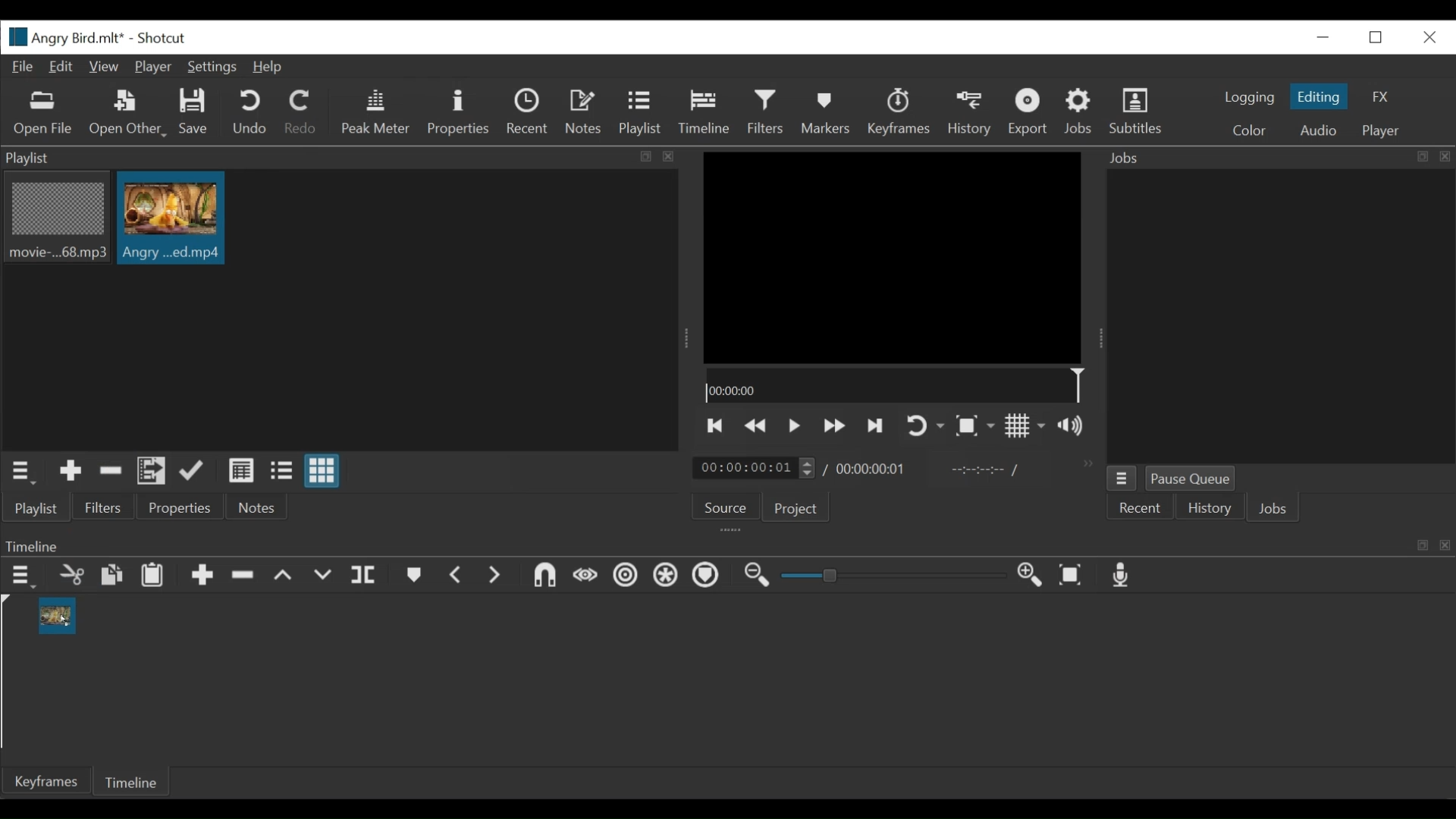 This screenshot has height=819, width=1456. What do you see at coordinates (301, 115) in the screenshot?
I see `Redo` at bounding box center [301, 115].